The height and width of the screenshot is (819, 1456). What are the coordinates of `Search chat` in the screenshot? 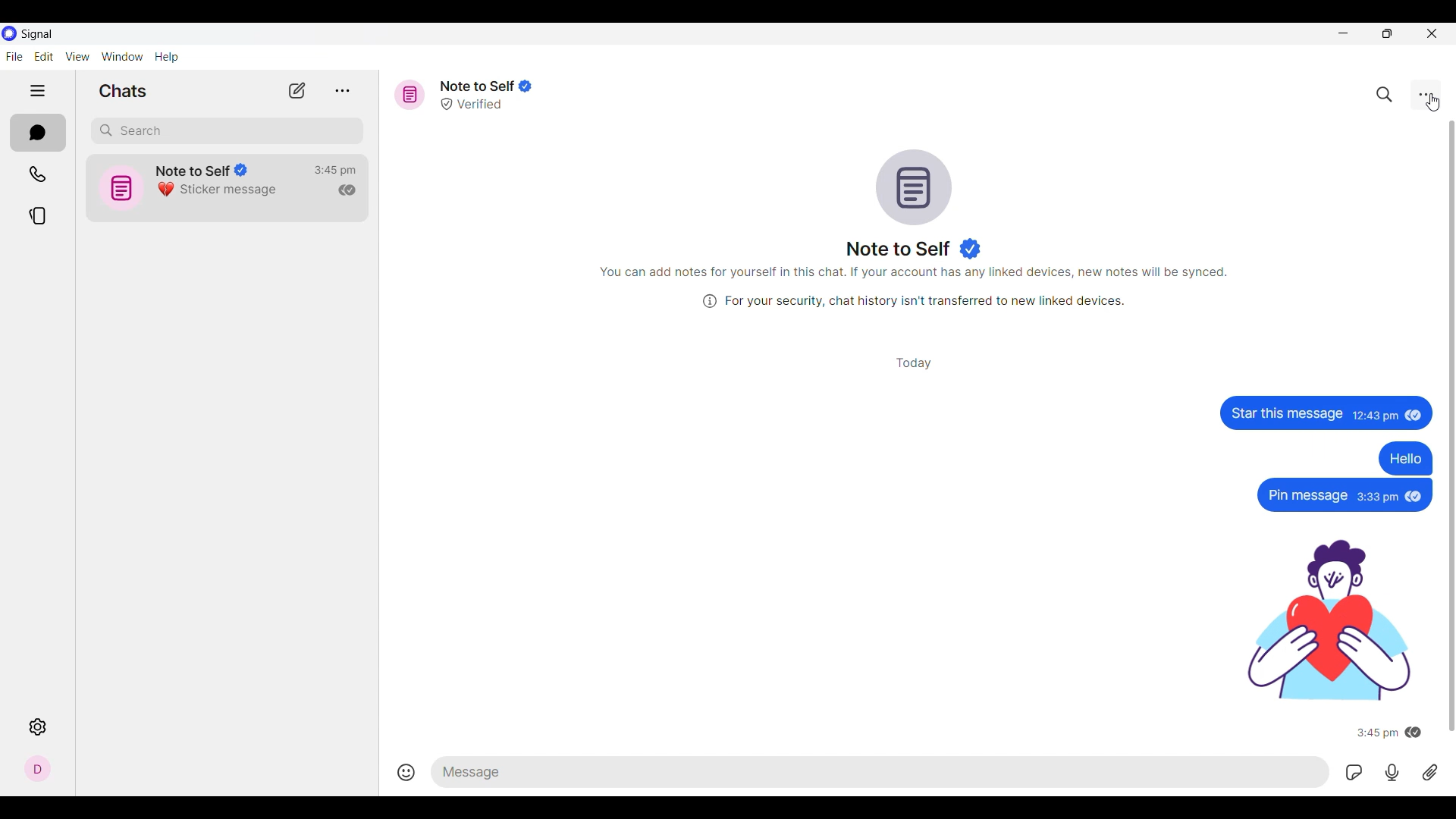 It's located at (1385, 94).